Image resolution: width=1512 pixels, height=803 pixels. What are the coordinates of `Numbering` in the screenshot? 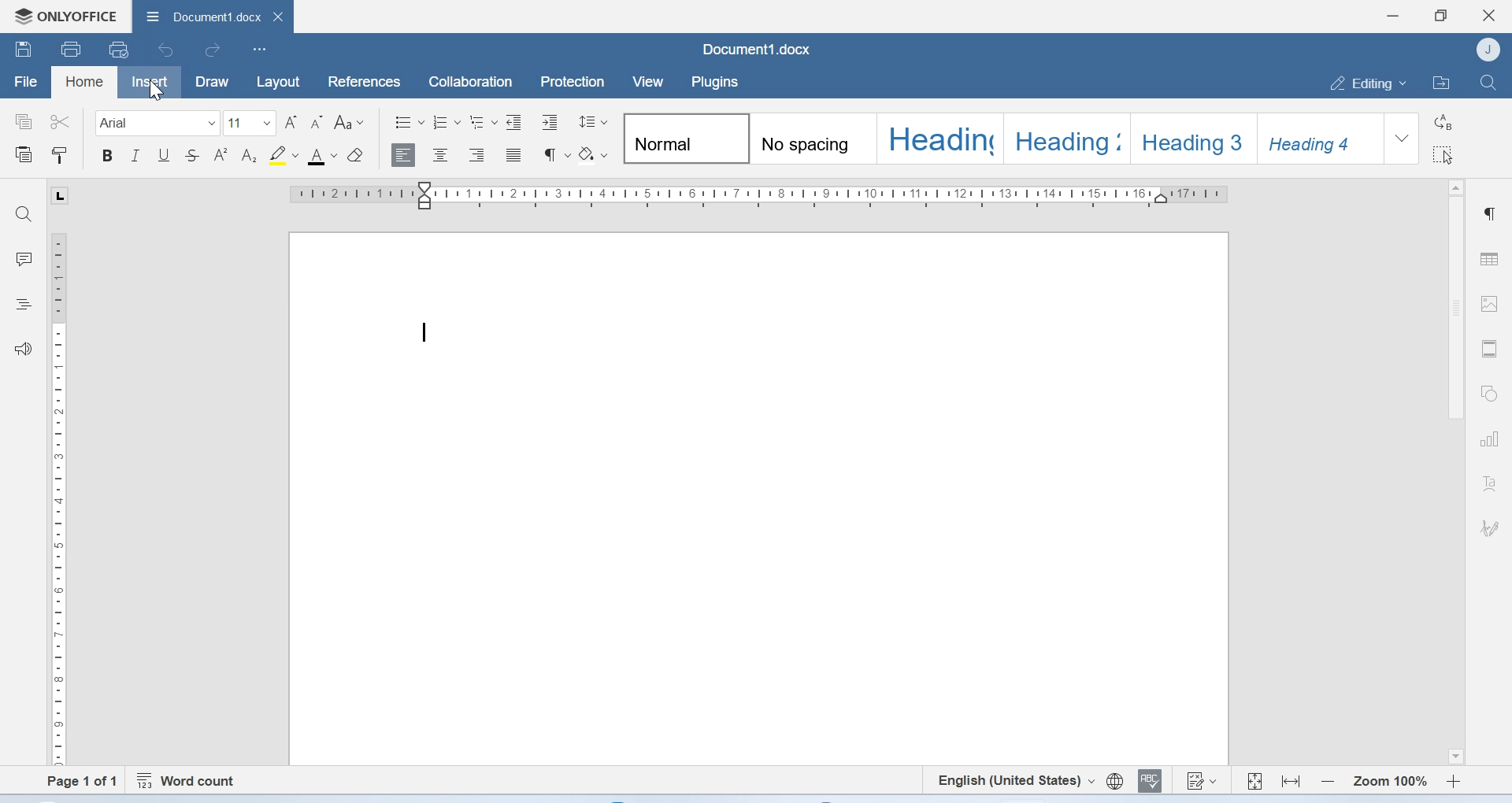 It's located at (447, 122).